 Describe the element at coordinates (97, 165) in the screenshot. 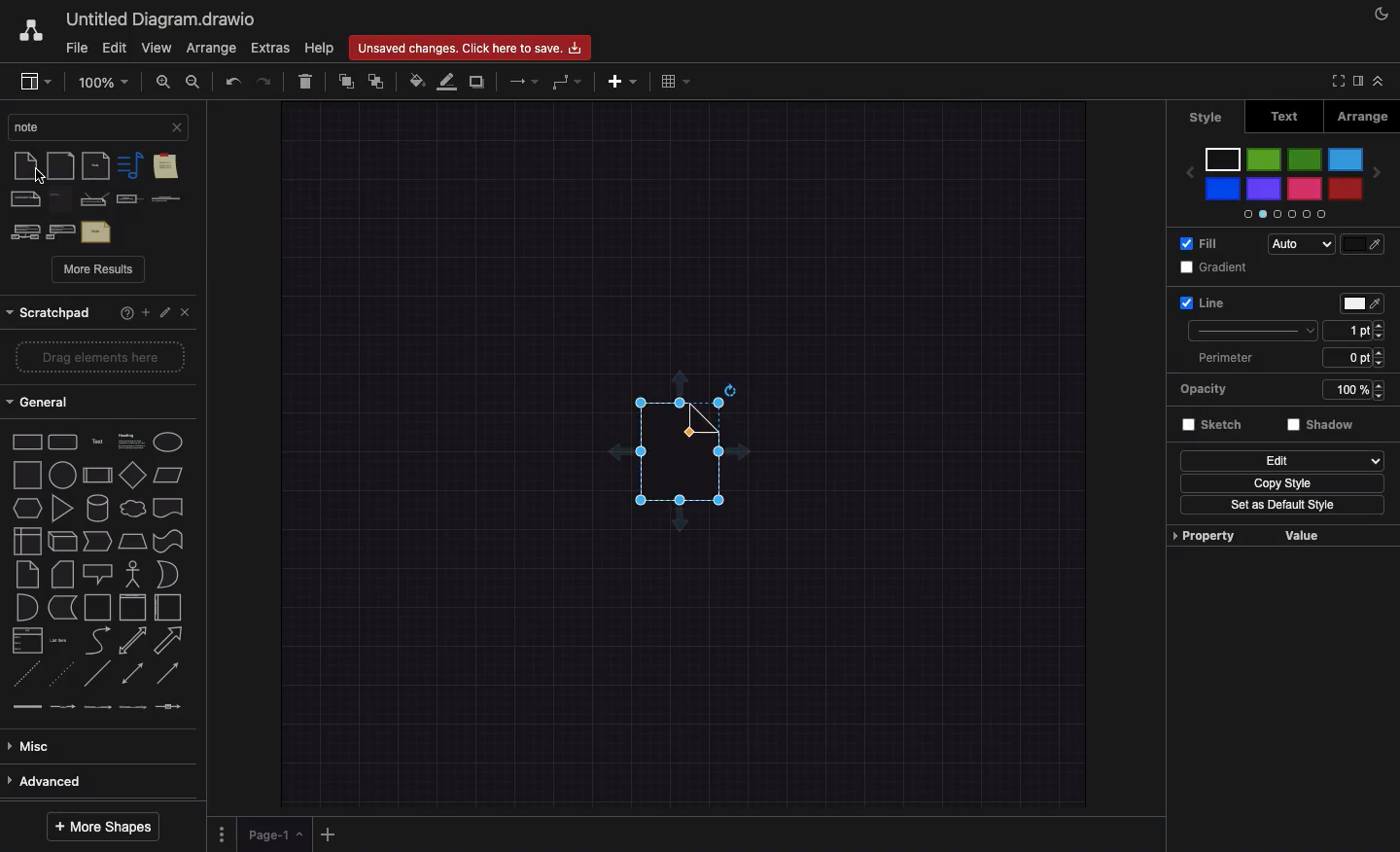

I see `note` at that location.